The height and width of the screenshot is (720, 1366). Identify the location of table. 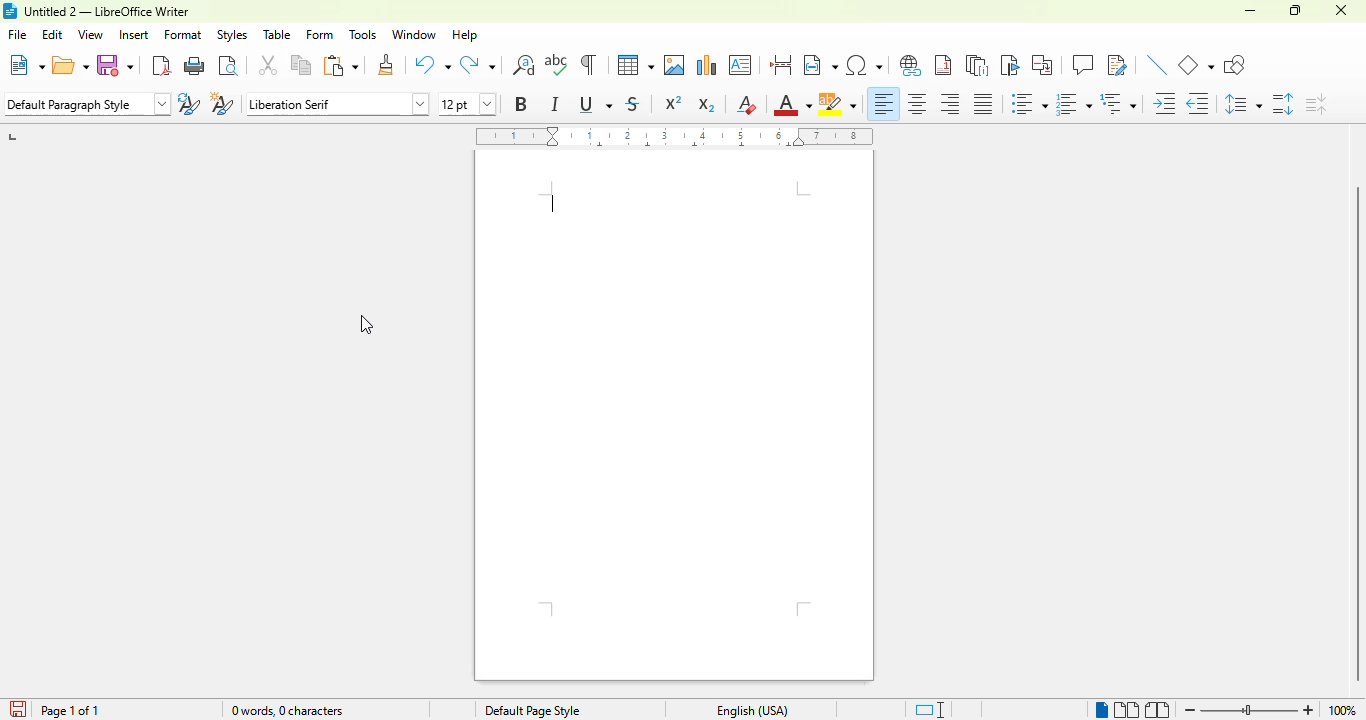
(634, 65).